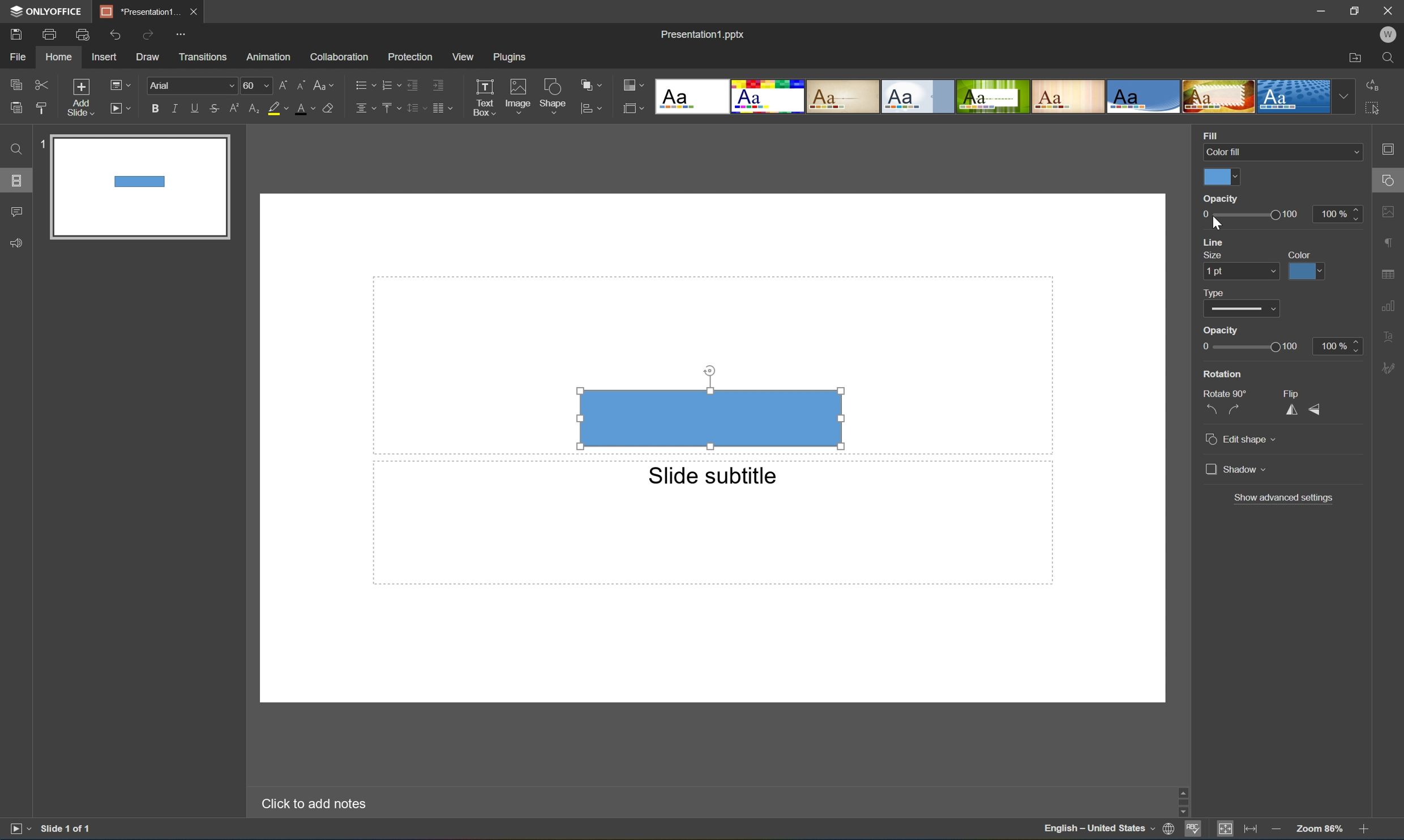 The width and height of the screenshot is (1404, 840). I want to click on Type of slides, so click(1003, 97).